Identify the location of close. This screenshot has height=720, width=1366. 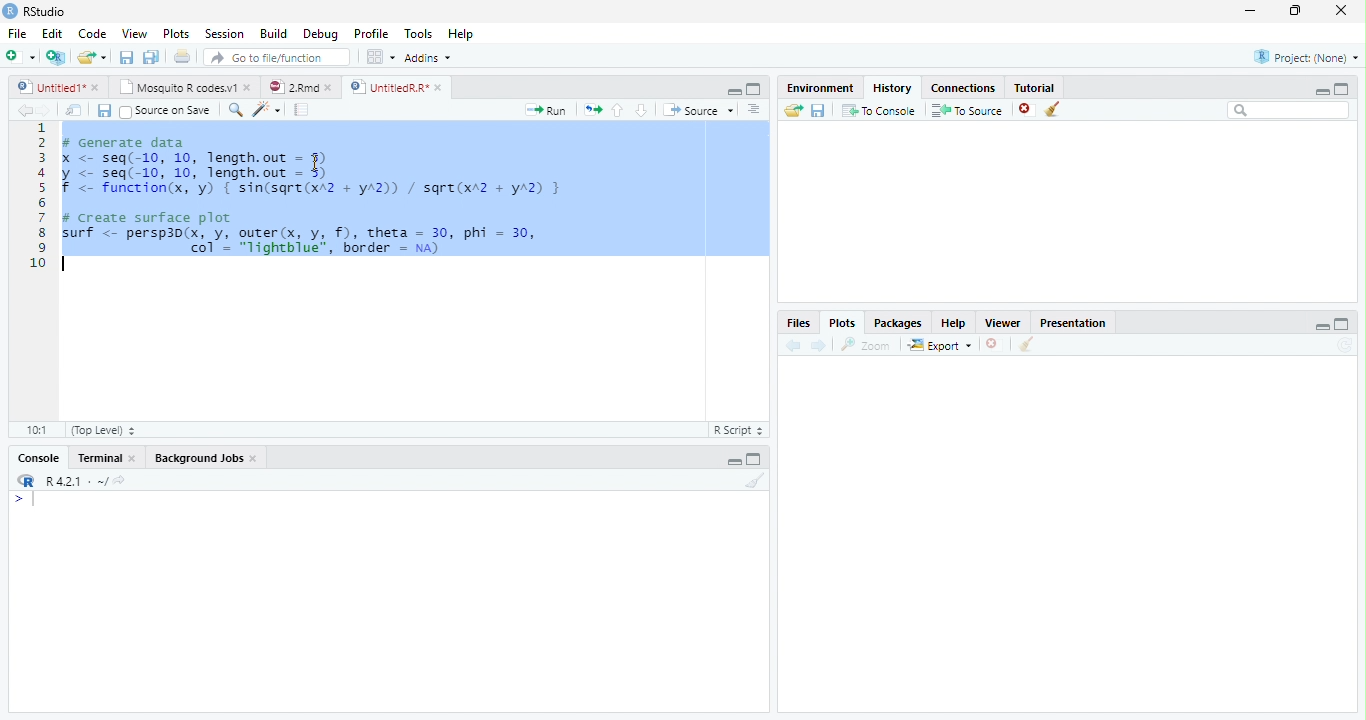
(248, 87).